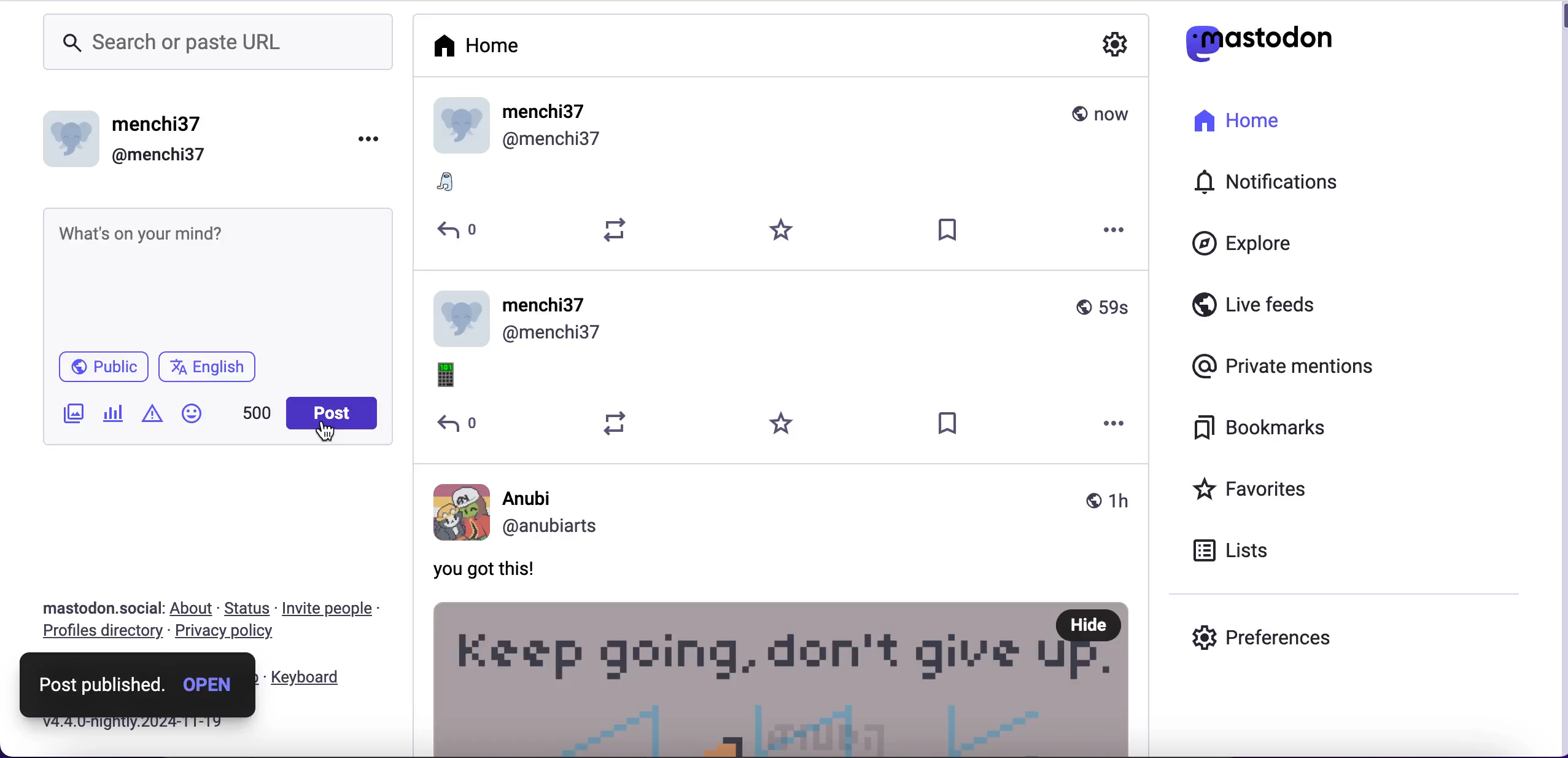  Describe the element at coordinates (131, 725) in the screenshot. I see `v4.4.0-nightly.2024-11-19` at that location.